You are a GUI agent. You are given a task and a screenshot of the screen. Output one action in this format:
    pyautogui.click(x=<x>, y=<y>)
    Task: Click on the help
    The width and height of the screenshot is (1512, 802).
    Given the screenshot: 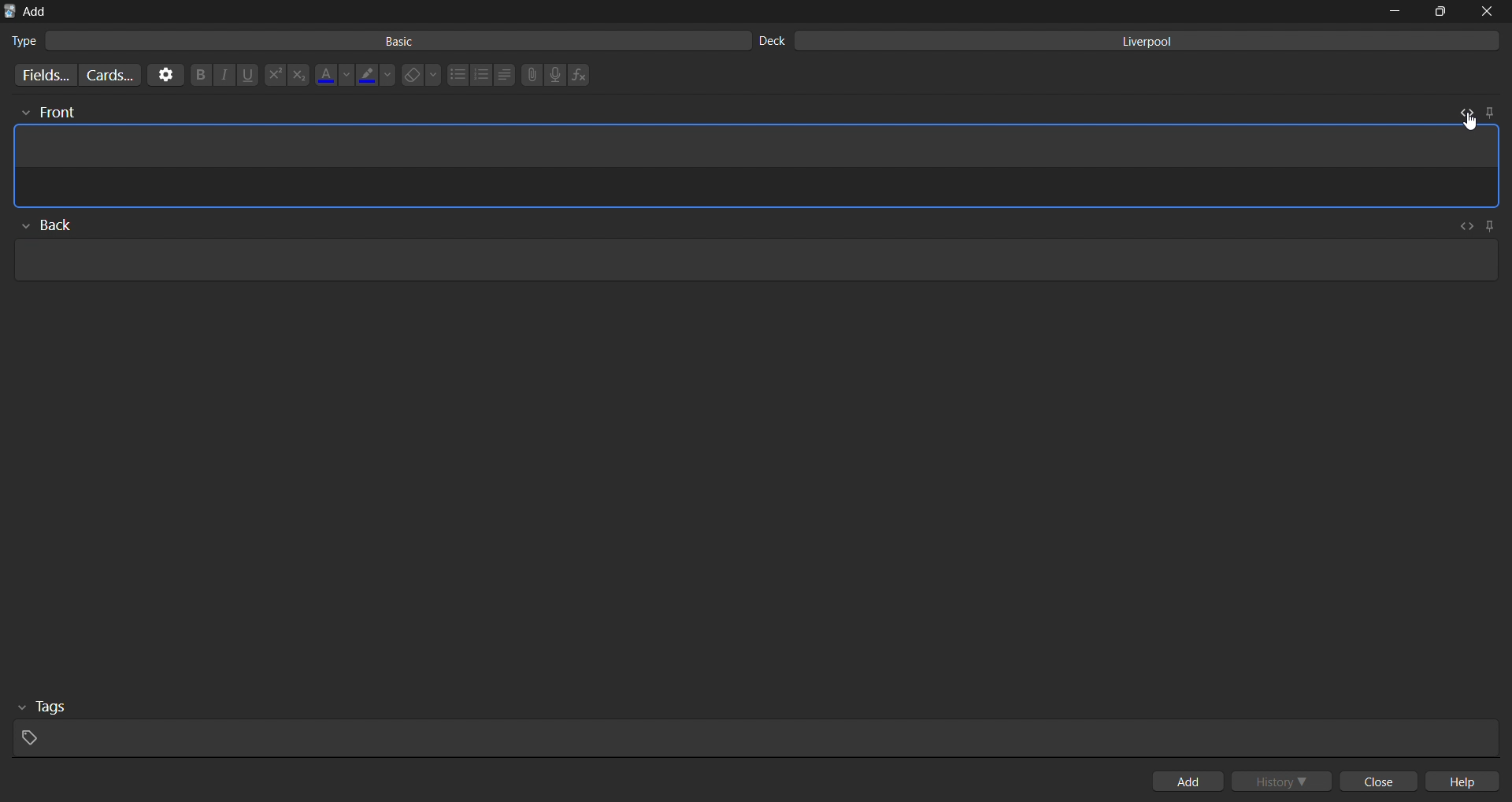 What is the action you would take?
    pyautogui.click(x=1469, y=782)
    